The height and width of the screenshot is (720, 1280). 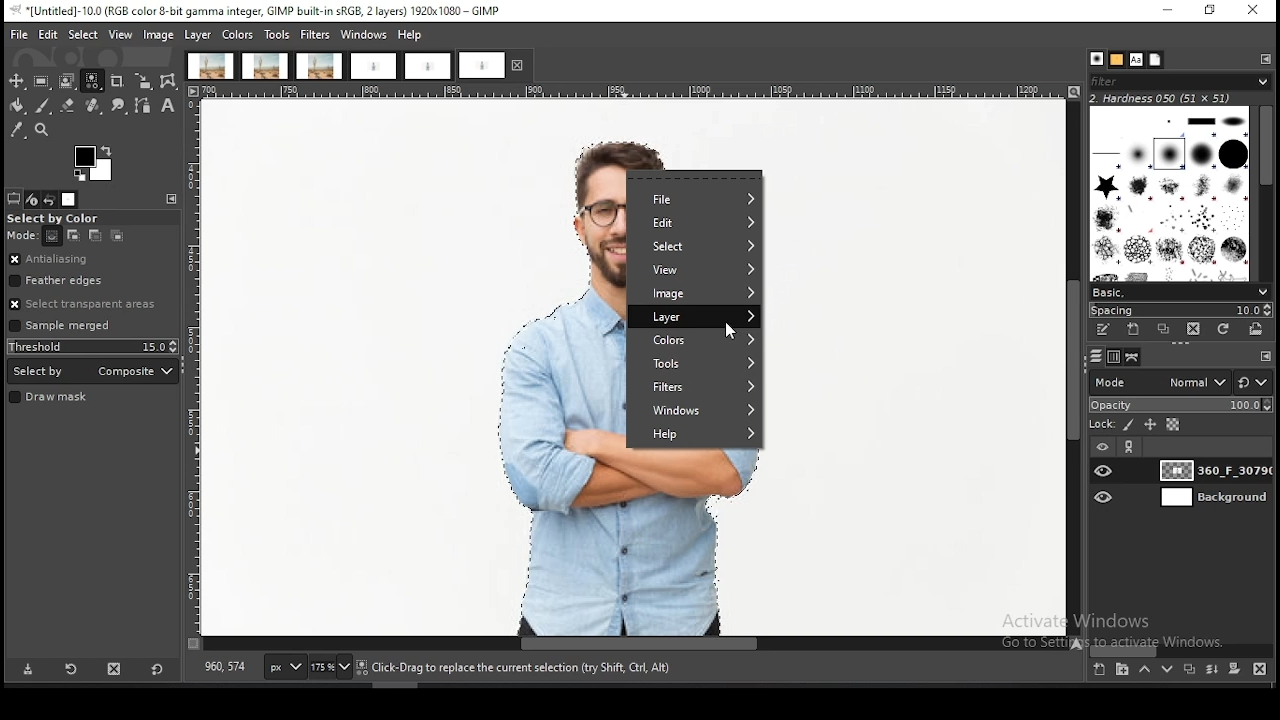 I want to click on colors, so click(x=95, y=164).